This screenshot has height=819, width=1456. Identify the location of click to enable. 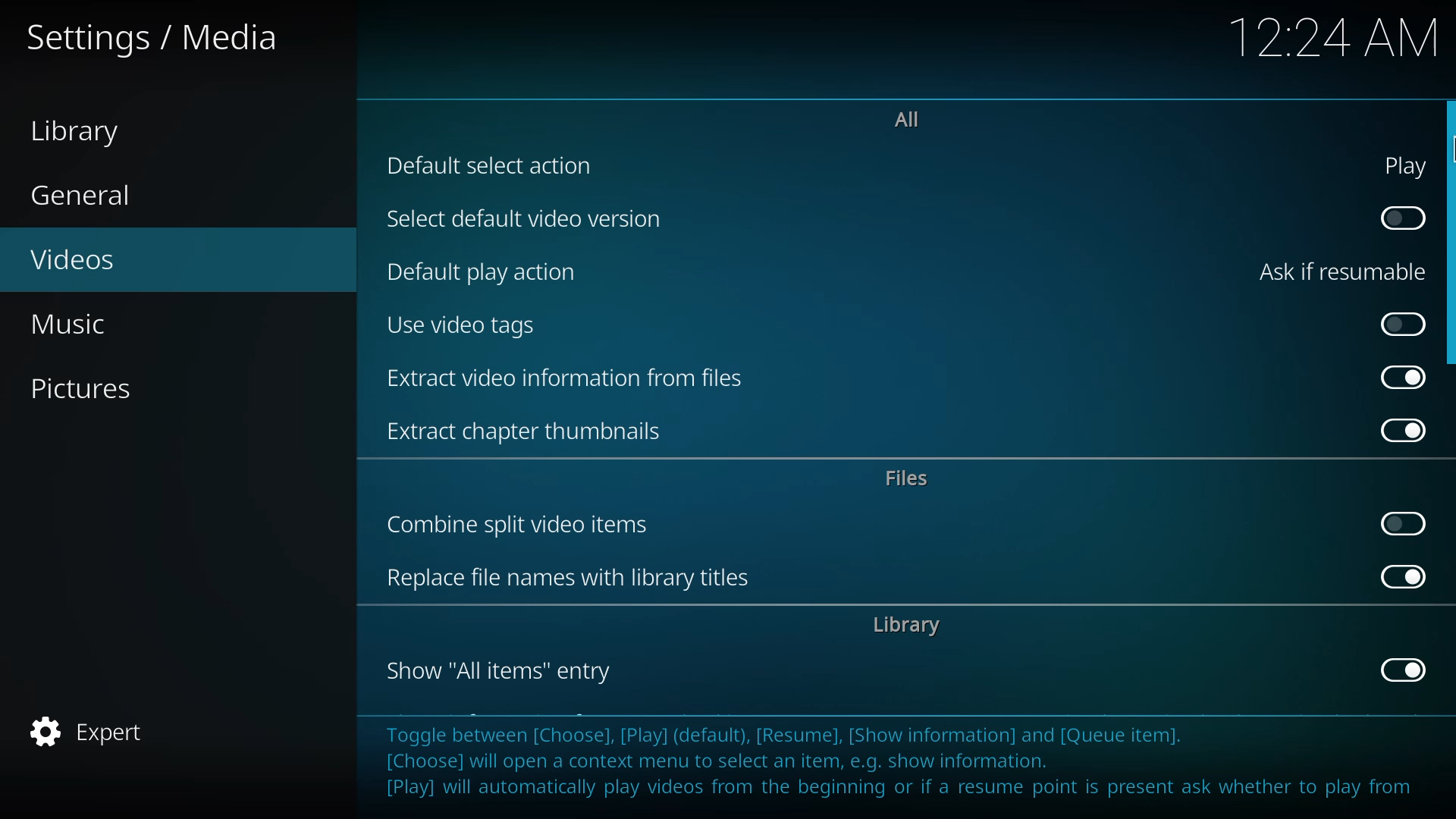
(1400, 522).